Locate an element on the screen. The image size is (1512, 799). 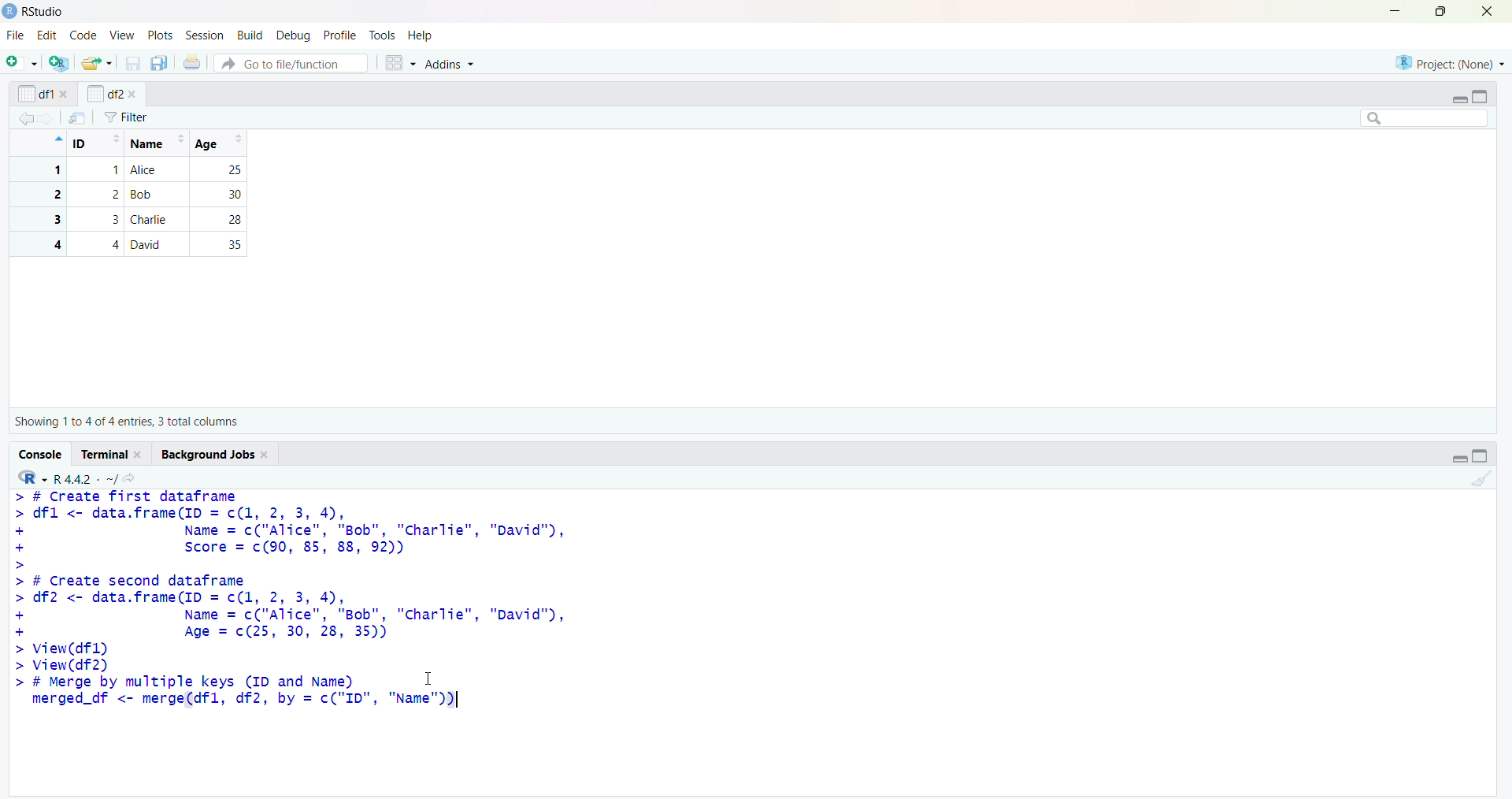
Filter is located at coordinates (126, 117).